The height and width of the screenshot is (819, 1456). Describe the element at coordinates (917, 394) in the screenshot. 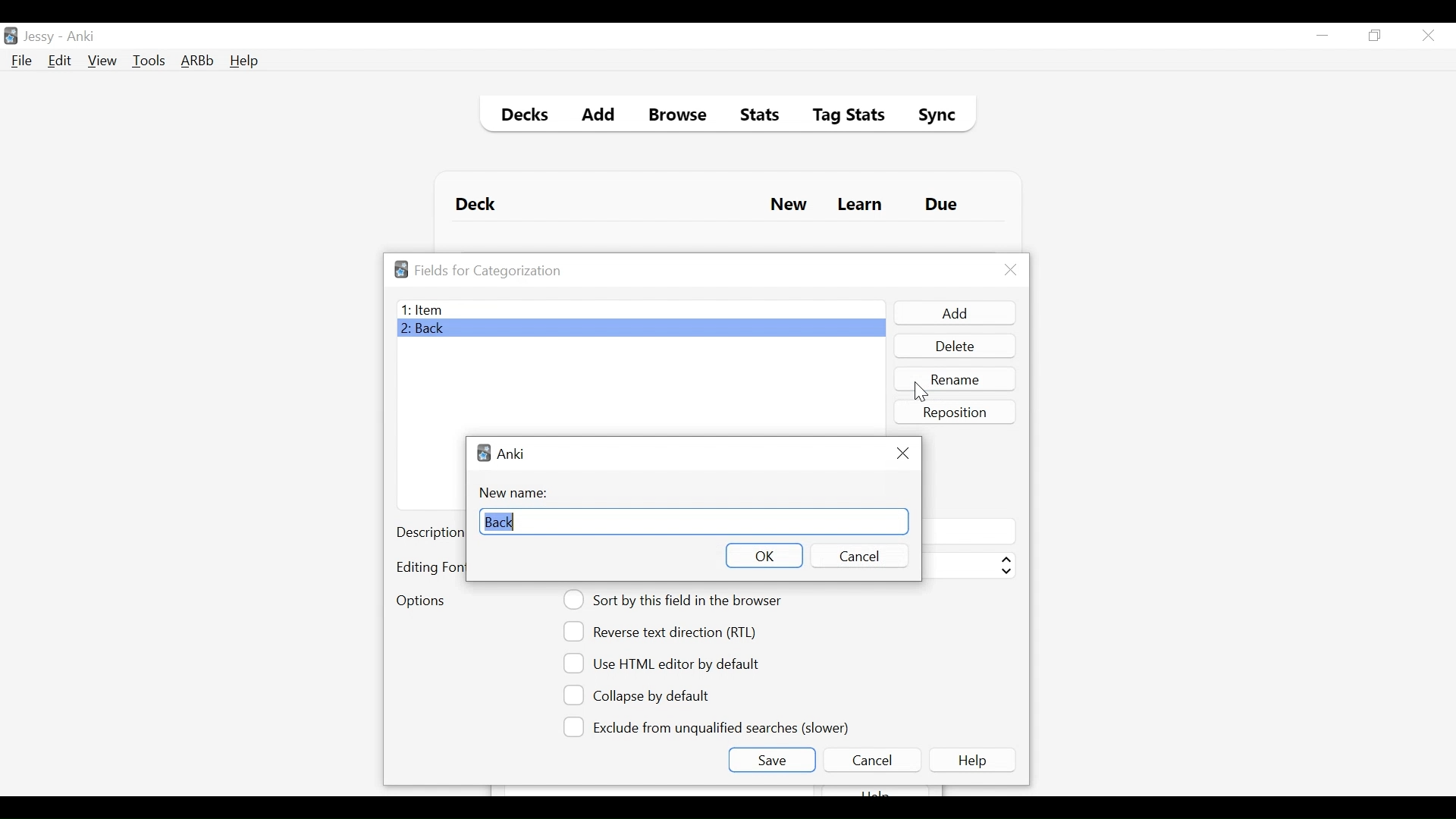

I see `Cursor` at that location.